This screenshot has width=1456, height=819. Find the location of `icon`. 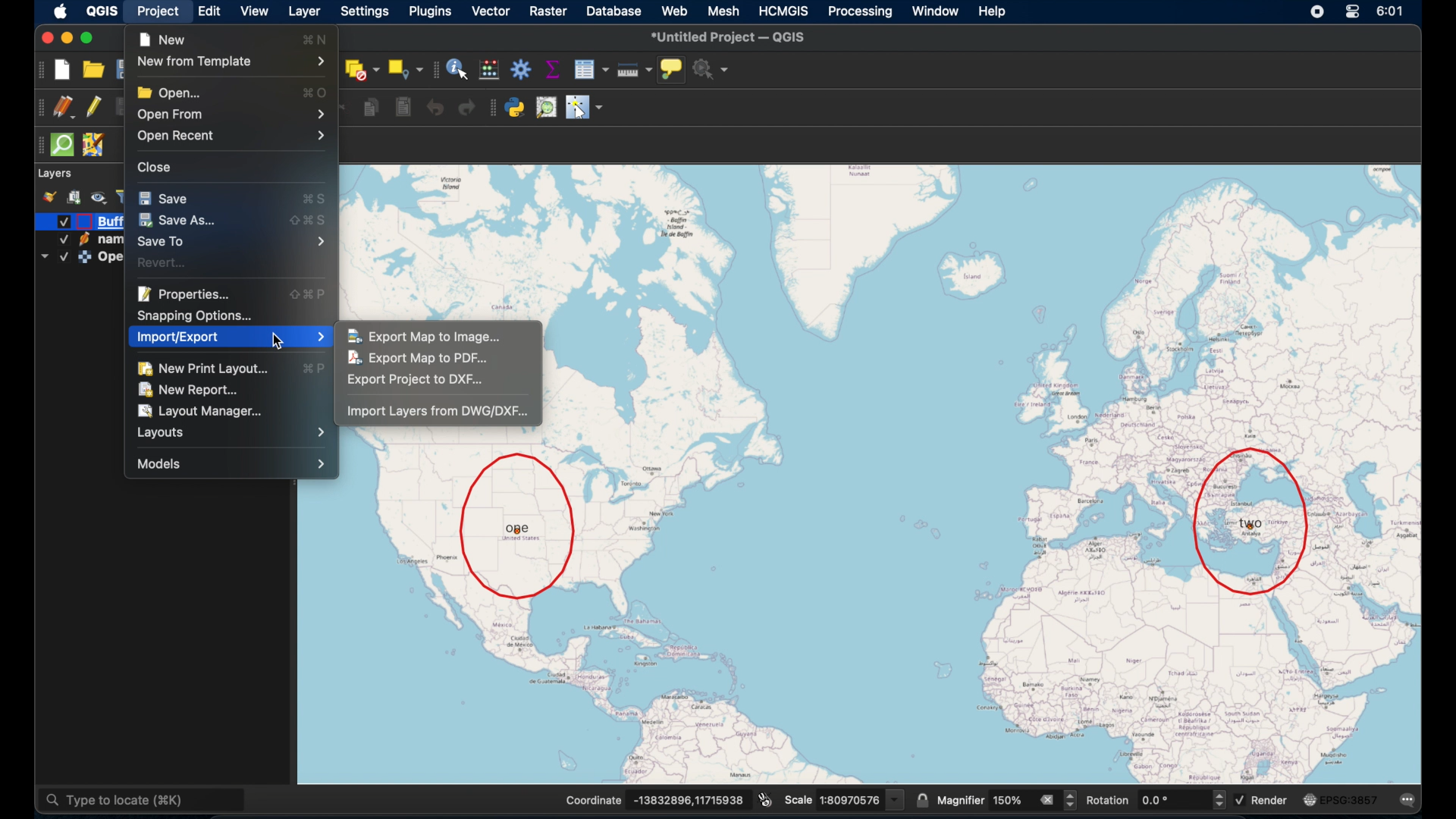

icon is located at coordinates (1309, 800).